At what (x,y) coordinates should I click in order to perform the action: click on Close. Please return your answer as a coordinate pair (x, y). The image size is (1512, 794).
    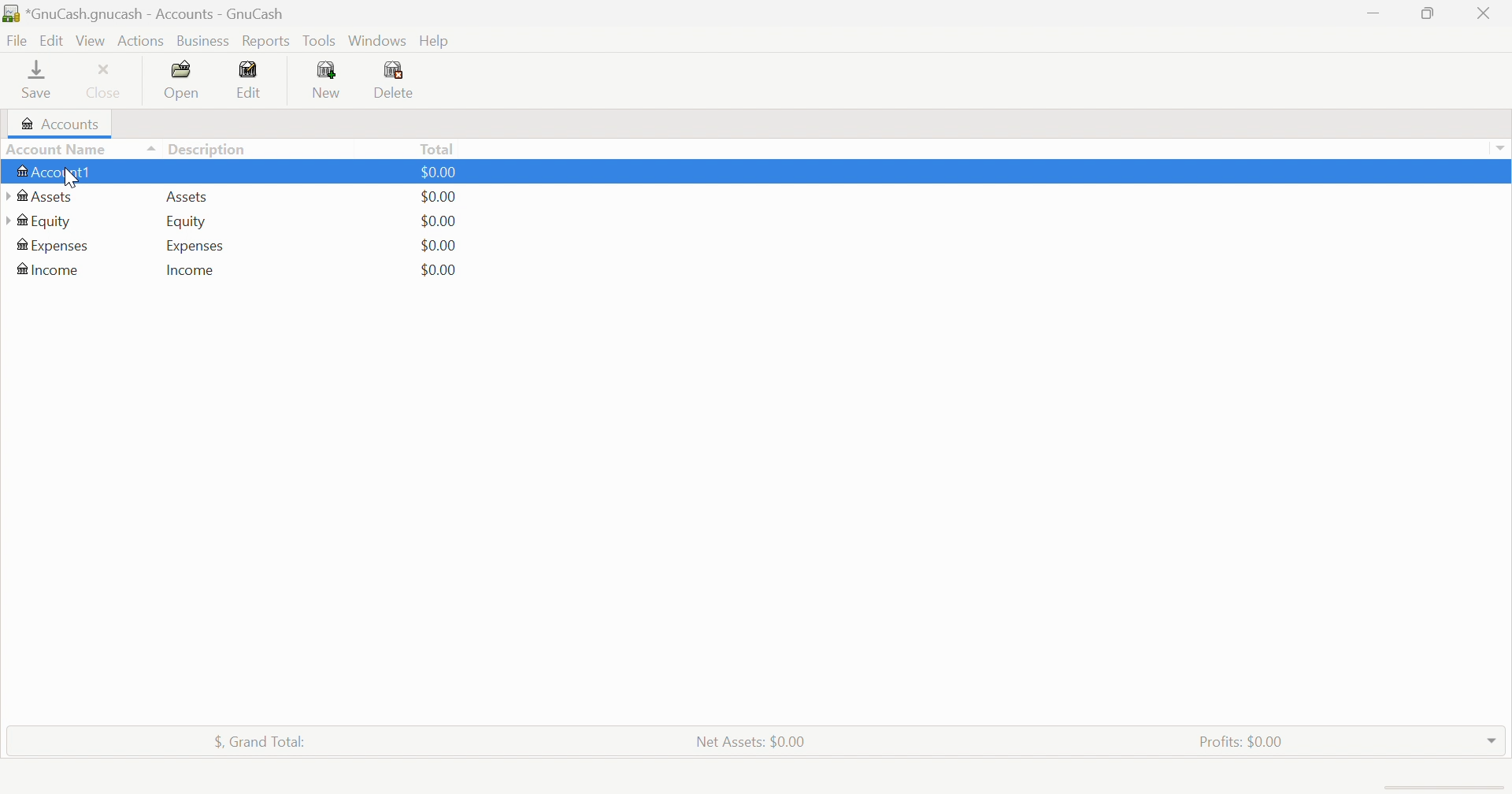
    Looking at the image, I should click on (1481, 13).